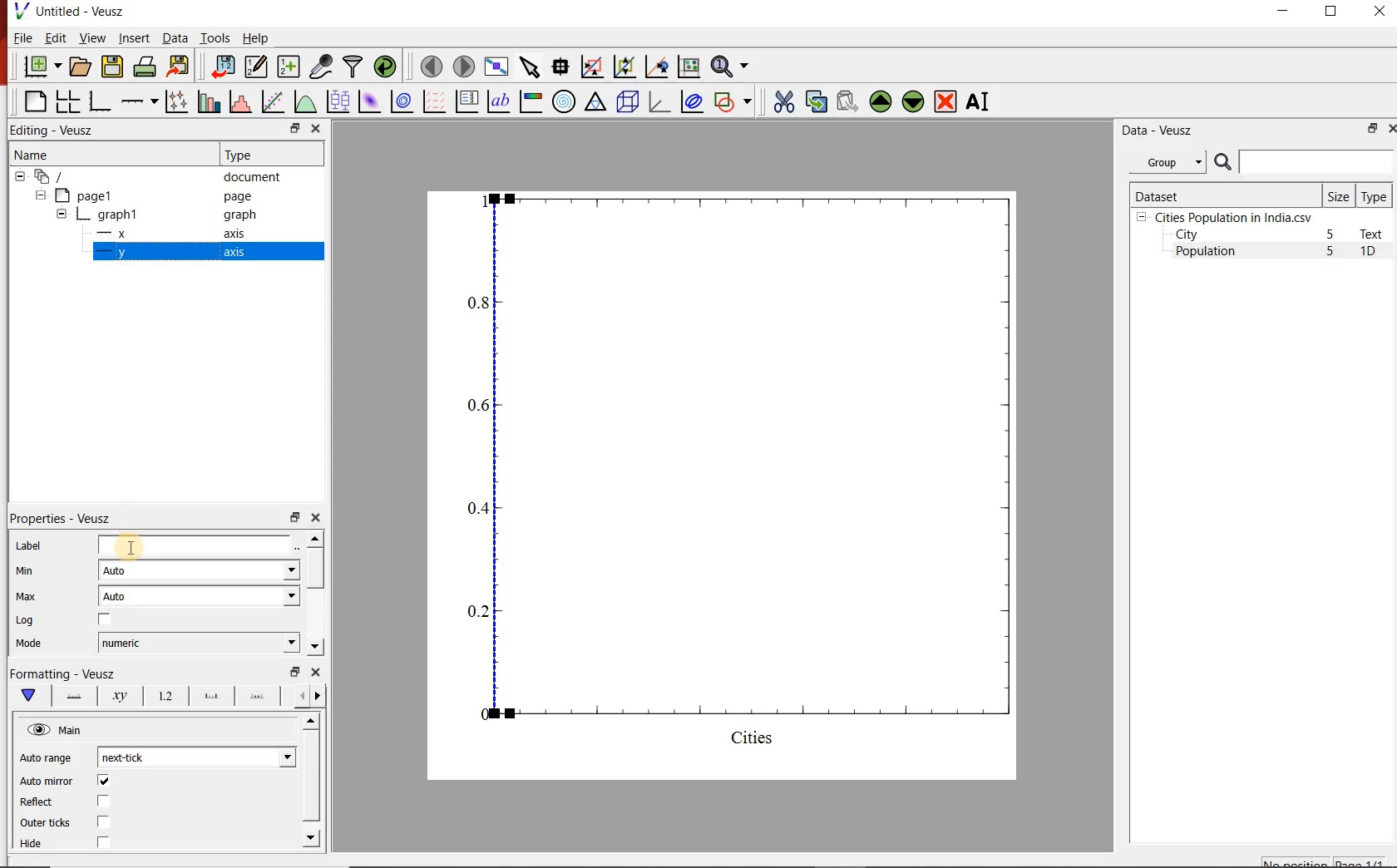 This screenshot has height=868, width=1397. What do you see at coordinates (33, 644) in the screenshot?
I see `Mode` at bounding box center [33, 644].